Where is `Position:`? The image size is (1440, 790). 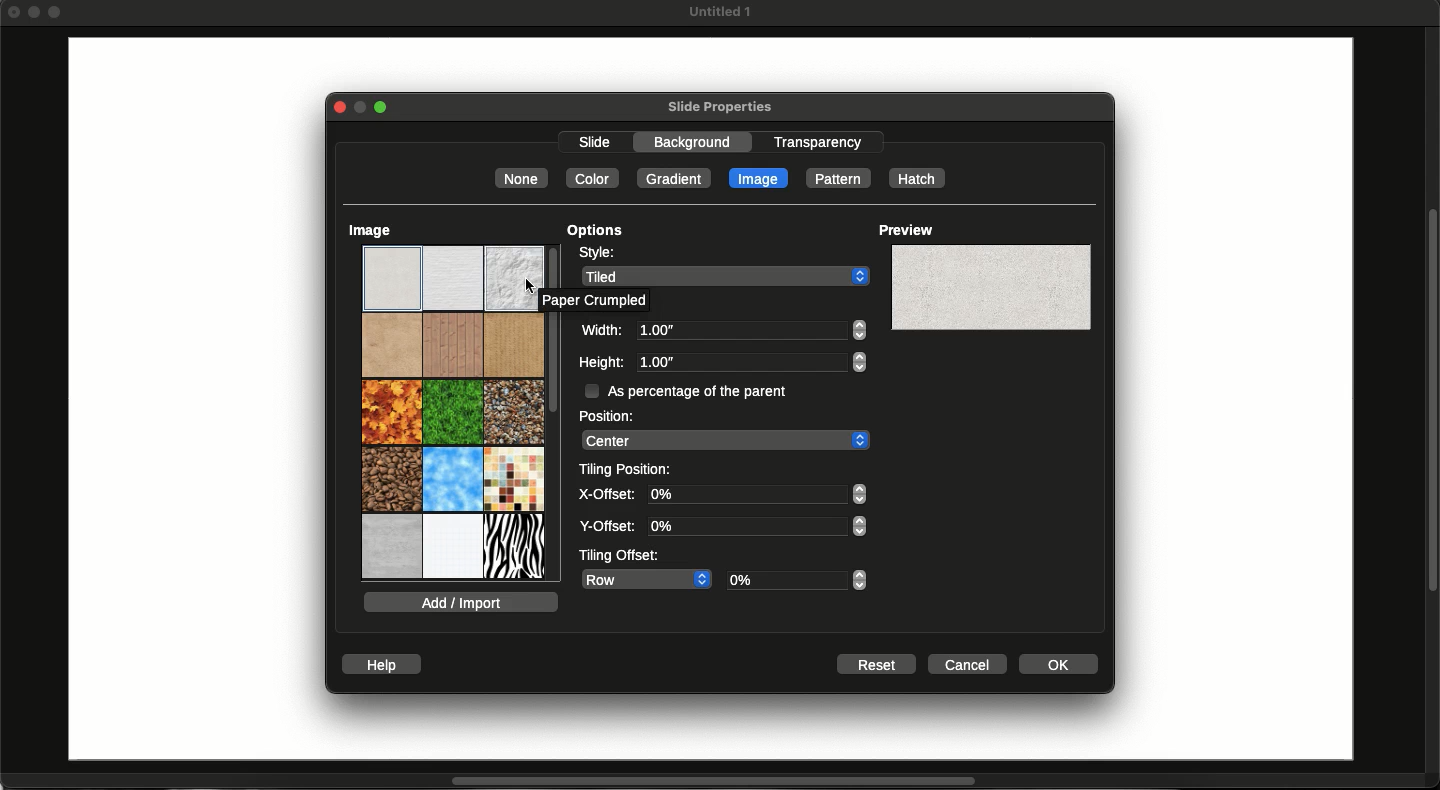 Position: is located at coordinates (605, 415).